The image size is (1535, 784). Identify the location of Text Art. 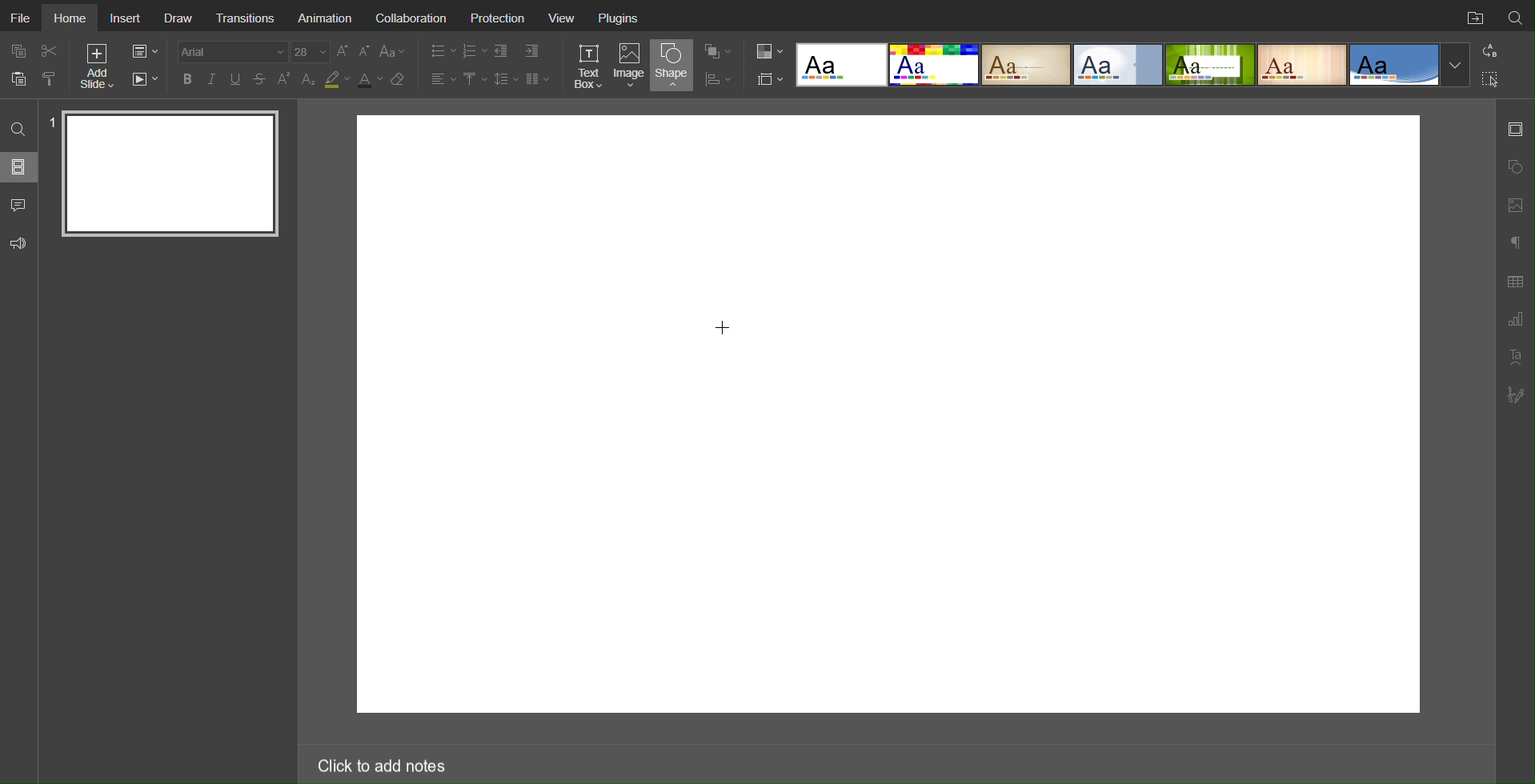
(1515, 357).